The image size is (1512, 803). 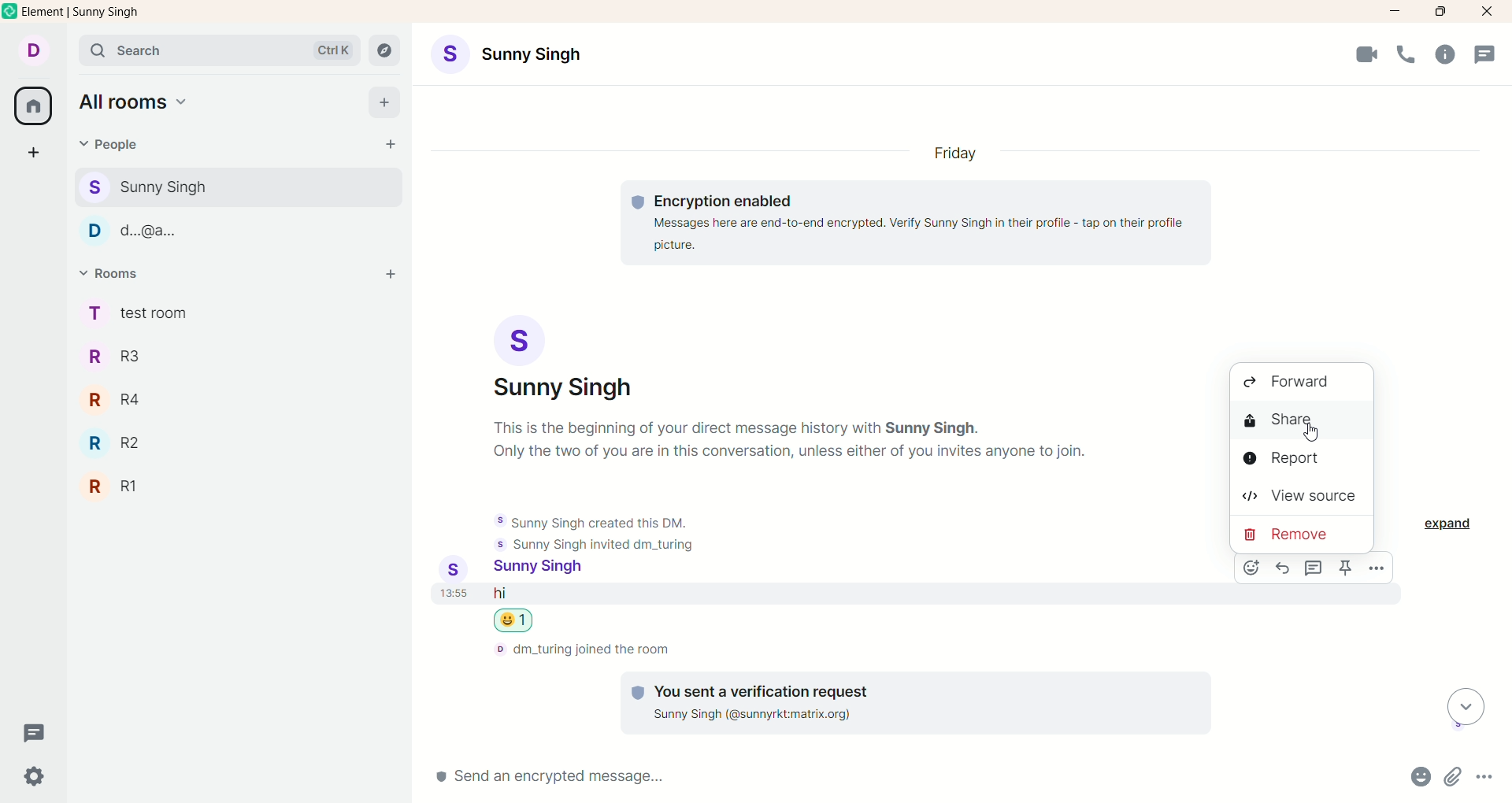 I want to click on voice call, so click(x=1410, y=56).